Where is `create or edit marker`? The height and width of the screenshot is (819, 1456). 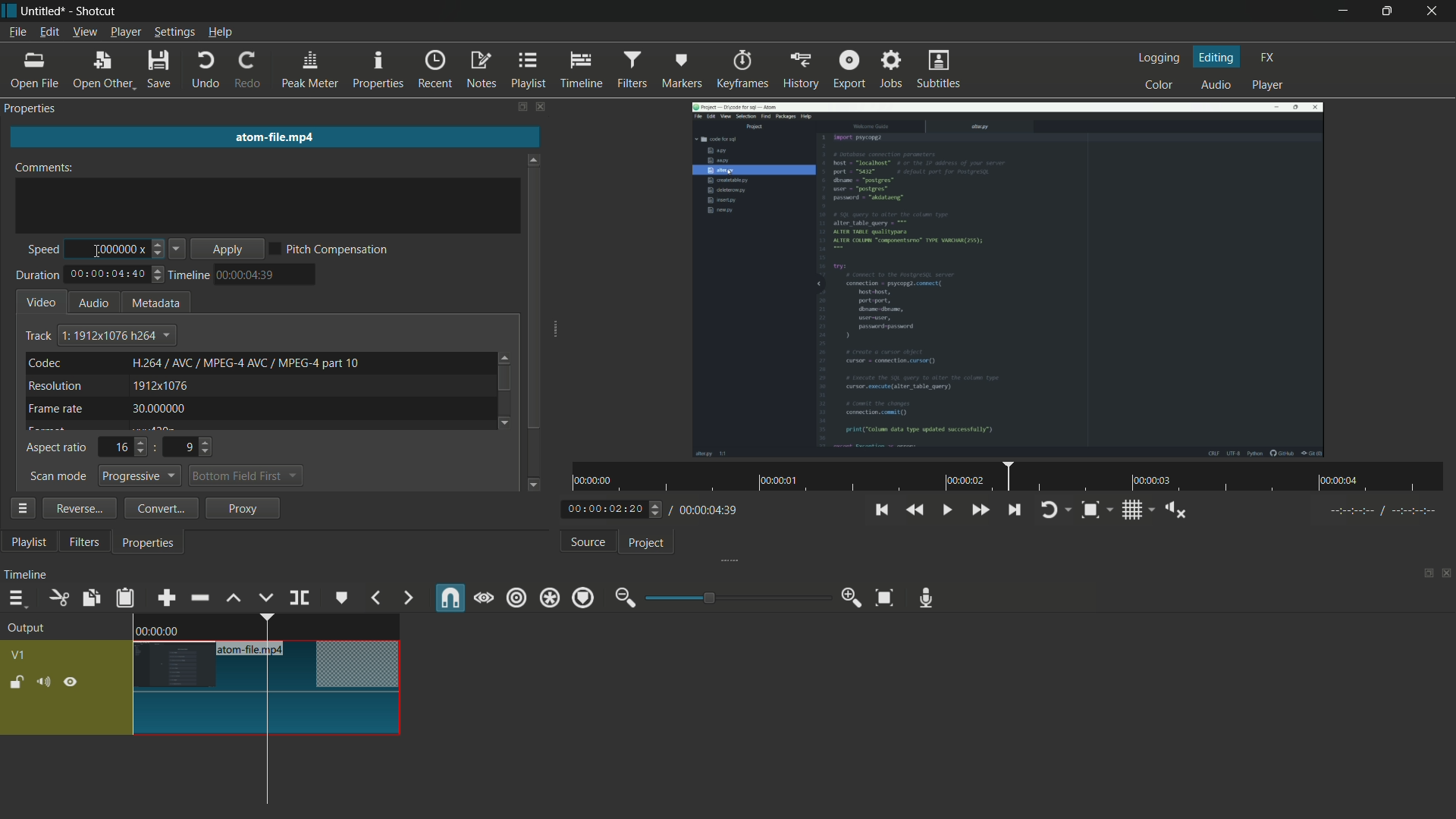
create or edit marker is located at coordinates (339, 598).